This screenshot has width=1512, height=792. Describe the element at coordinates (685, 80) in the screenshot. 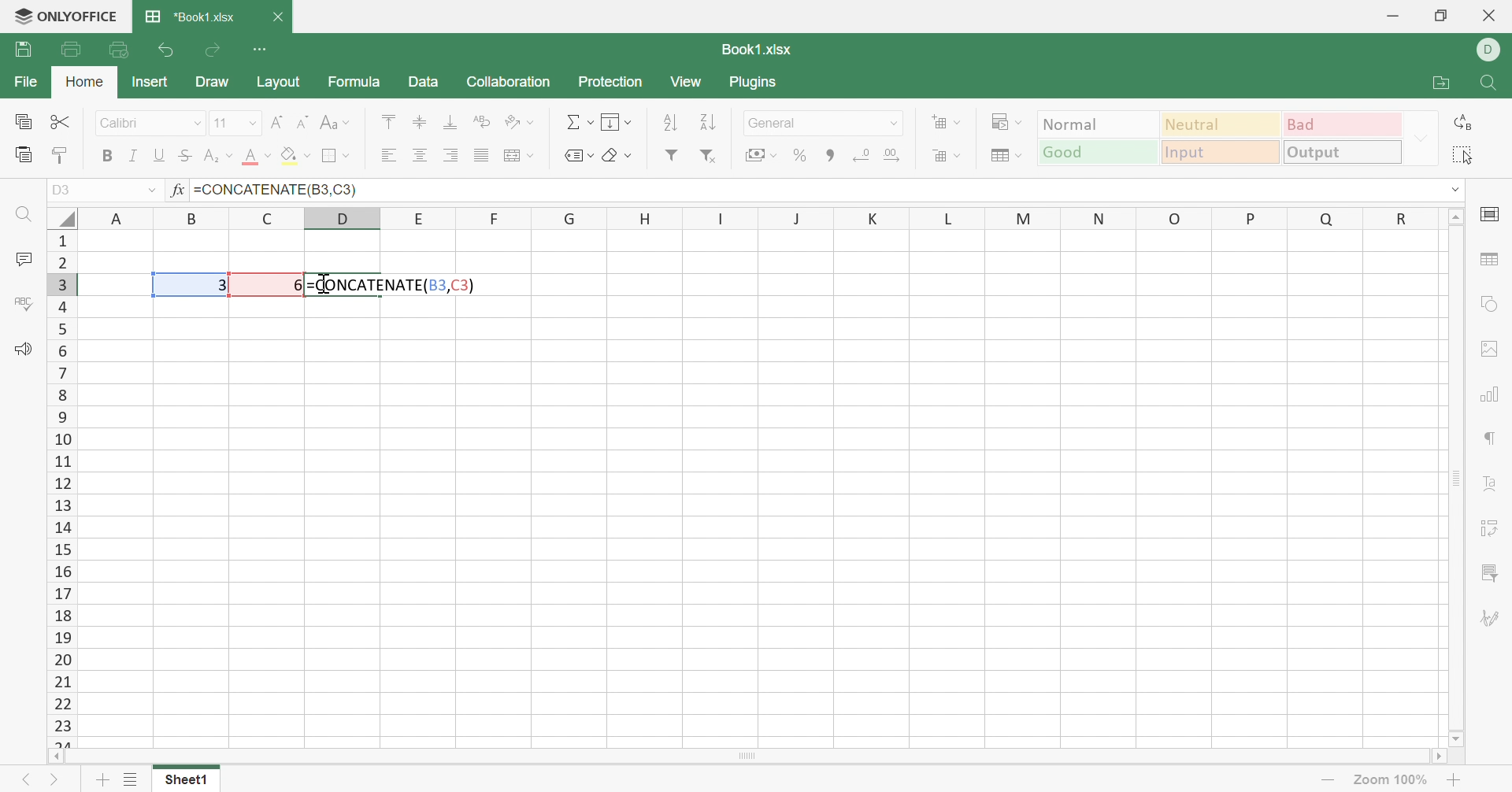

I see `View` at that location.